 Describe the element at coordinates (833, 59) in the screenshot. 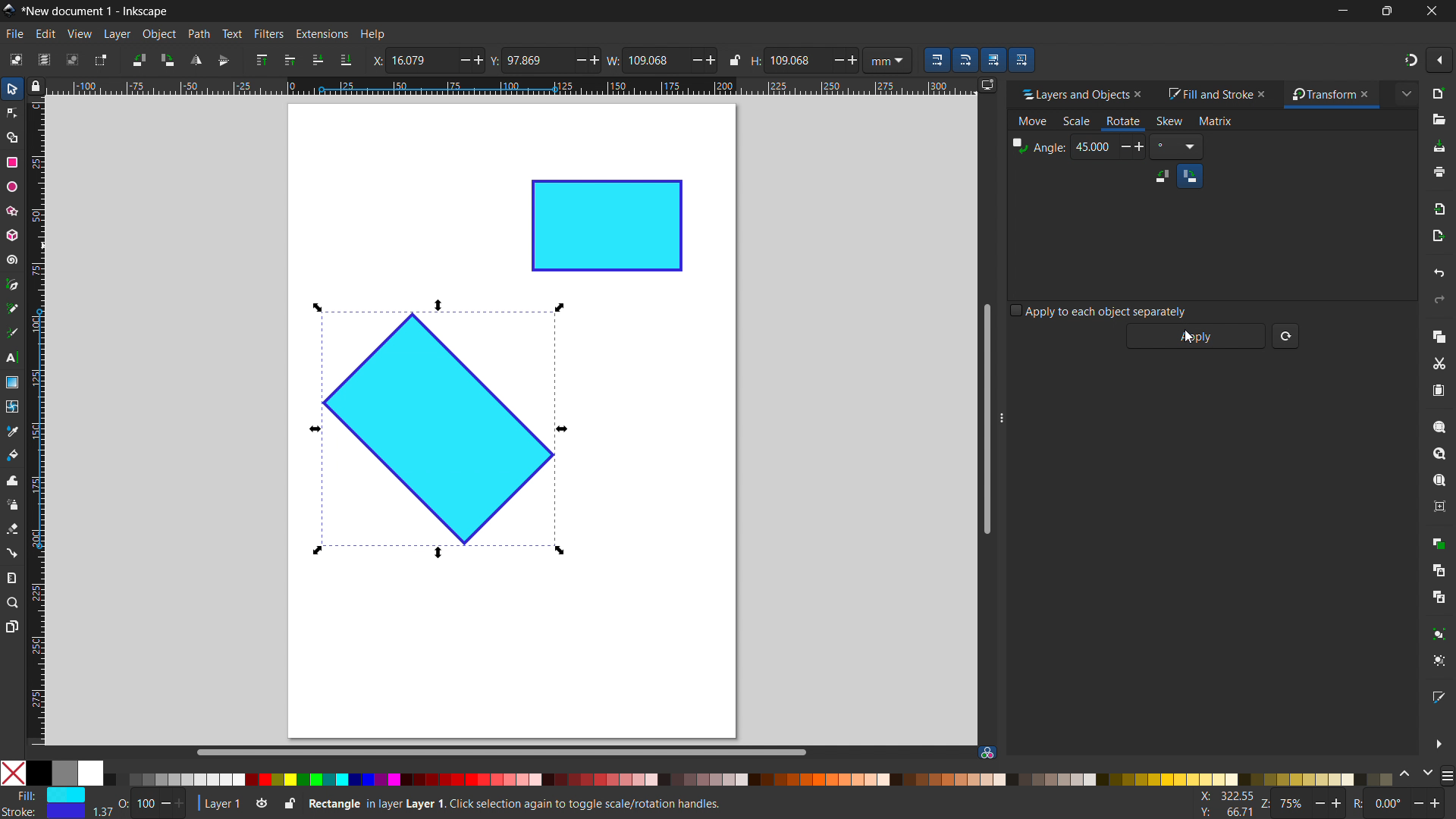

I see `Decrease/ minus` at that location.